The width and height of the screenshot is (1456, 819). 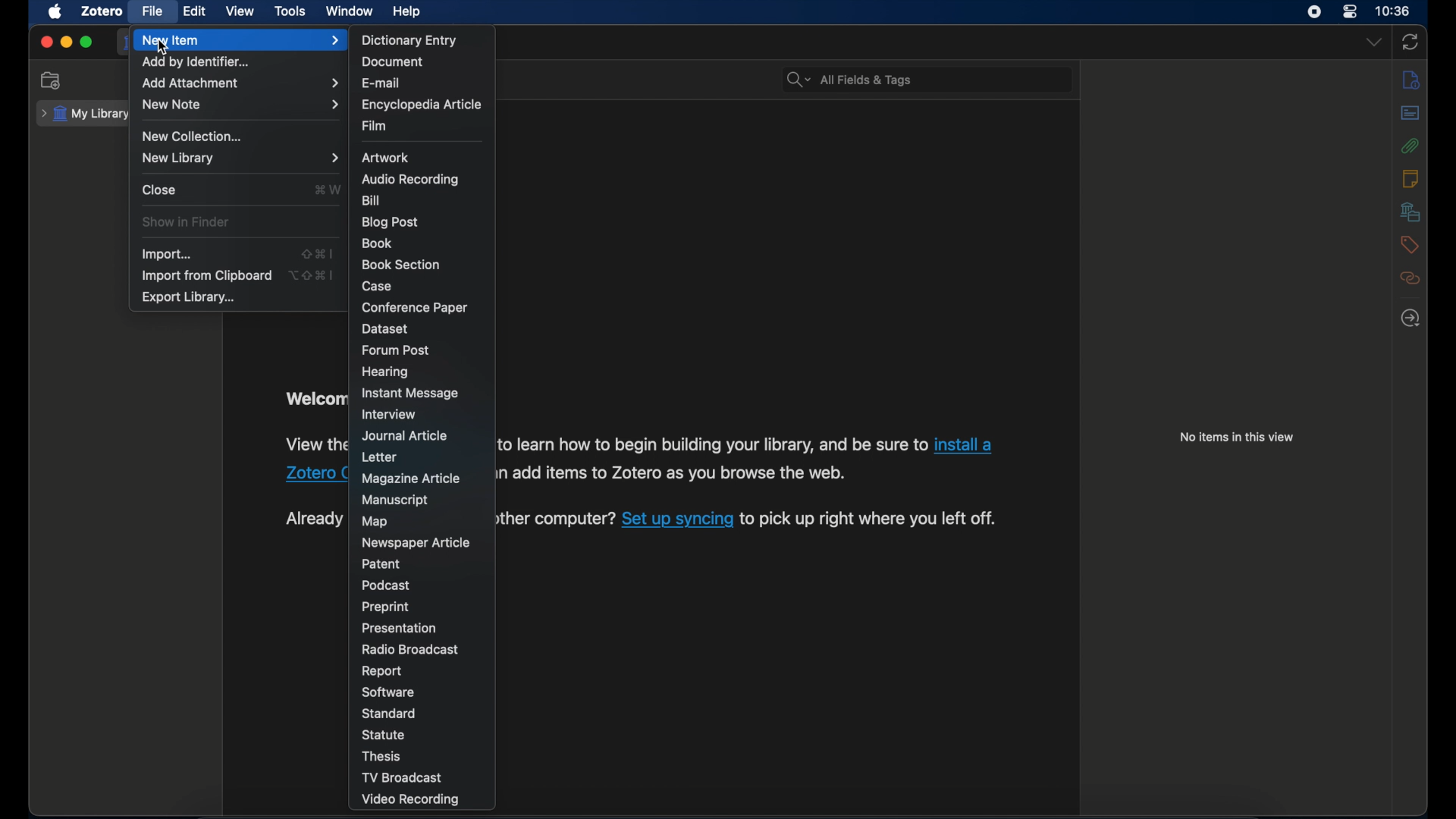 I want to click on new note, so click(x=242, y=105).